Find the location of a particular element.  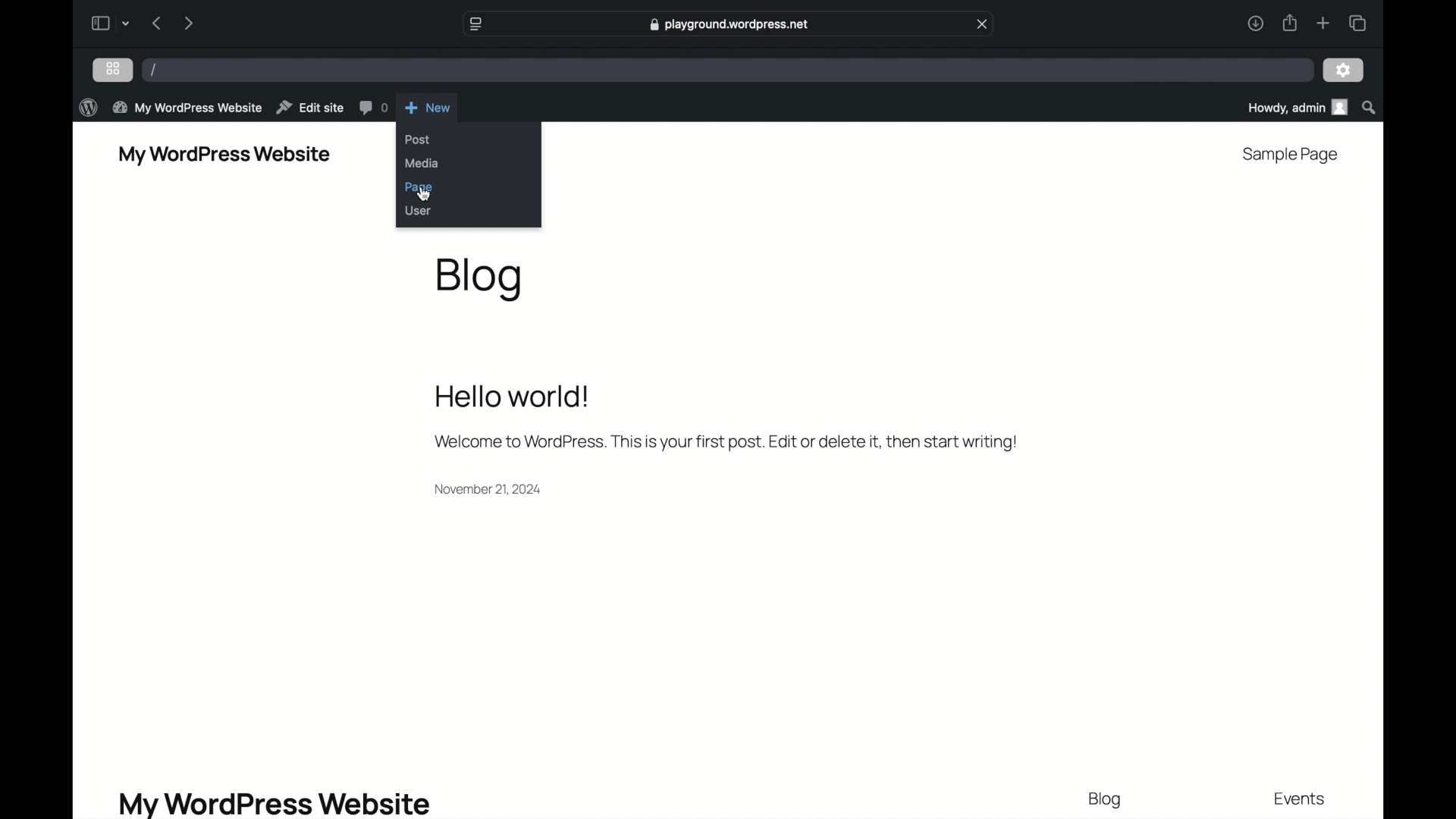

tab group picker is located at coordinates (127, 23).